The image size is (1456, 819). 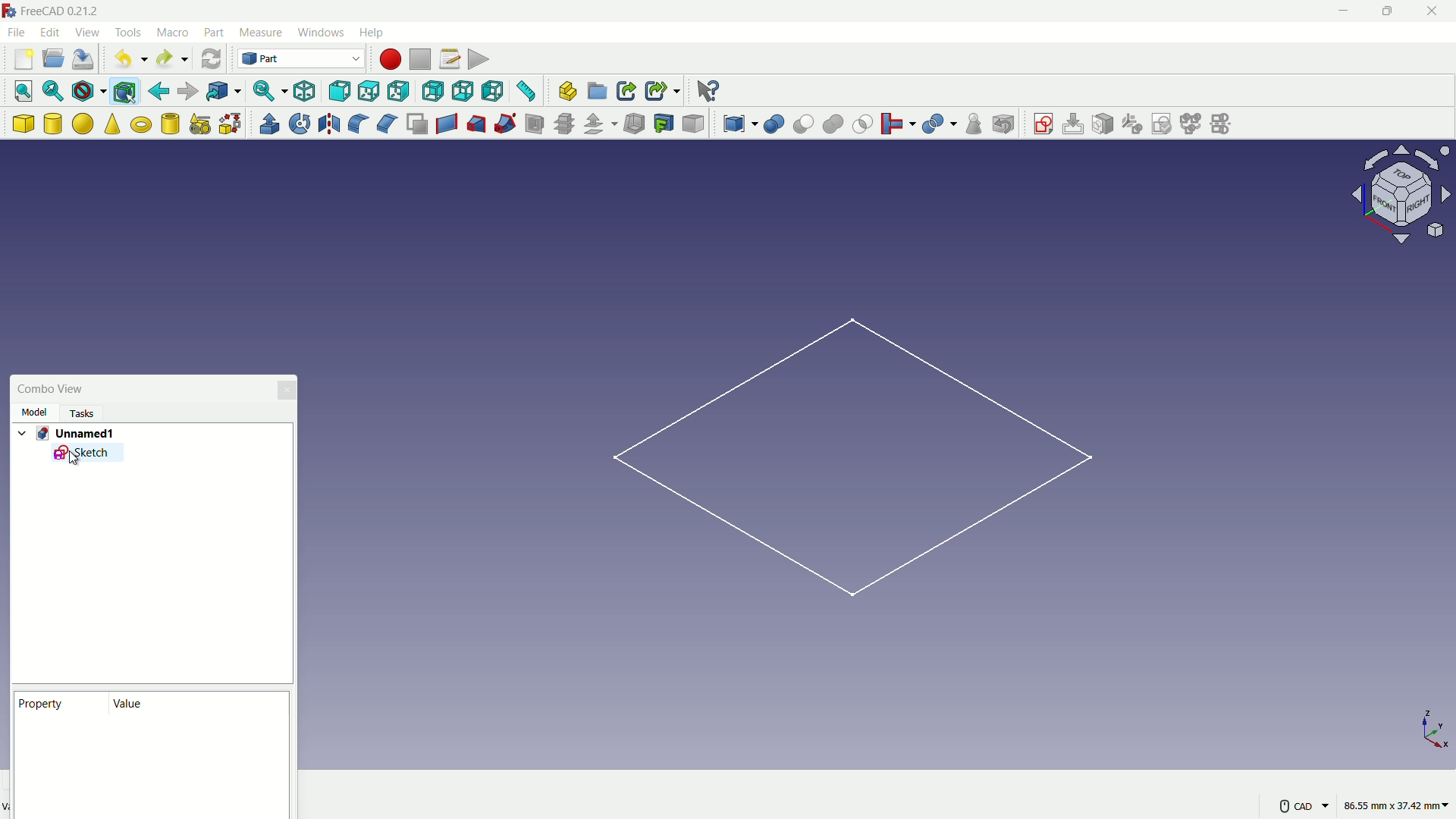 I want to click on value, so click(x=130, y=704).